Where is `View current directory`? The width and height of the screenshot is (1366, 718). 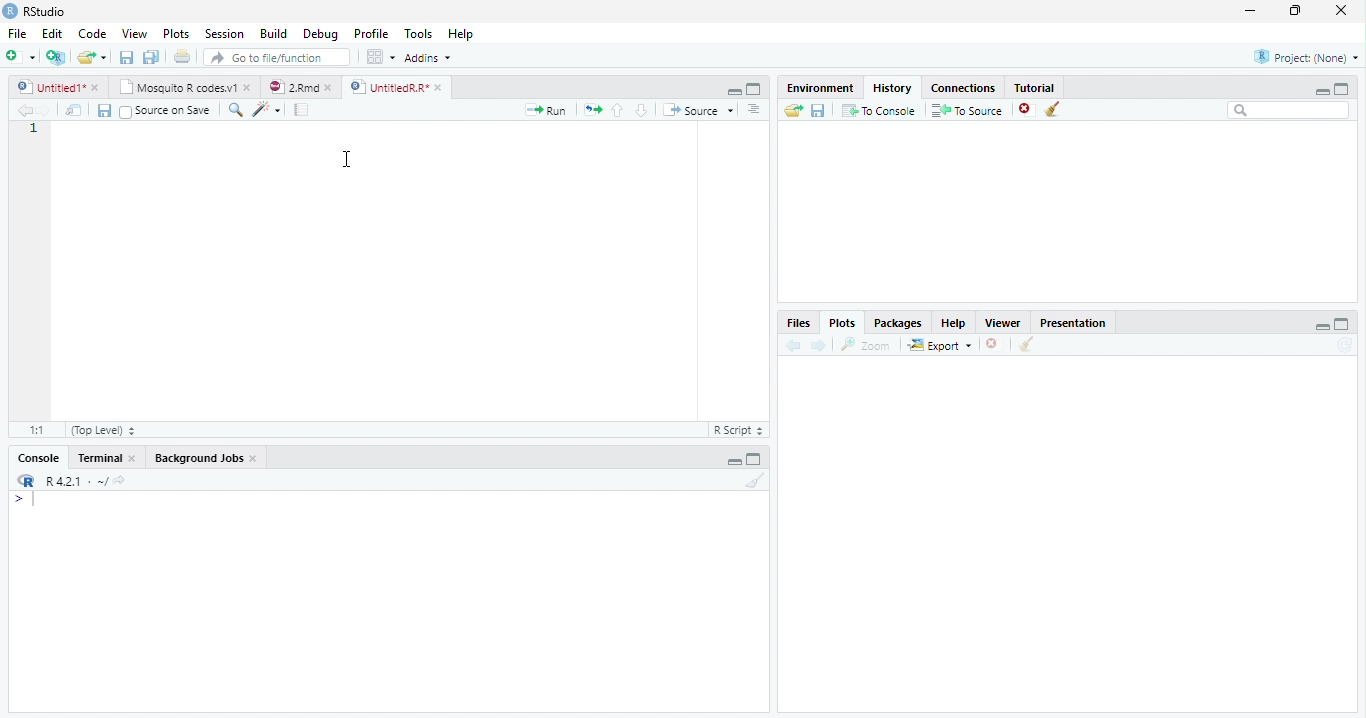 View current directory is located at coordinates (121, 481).